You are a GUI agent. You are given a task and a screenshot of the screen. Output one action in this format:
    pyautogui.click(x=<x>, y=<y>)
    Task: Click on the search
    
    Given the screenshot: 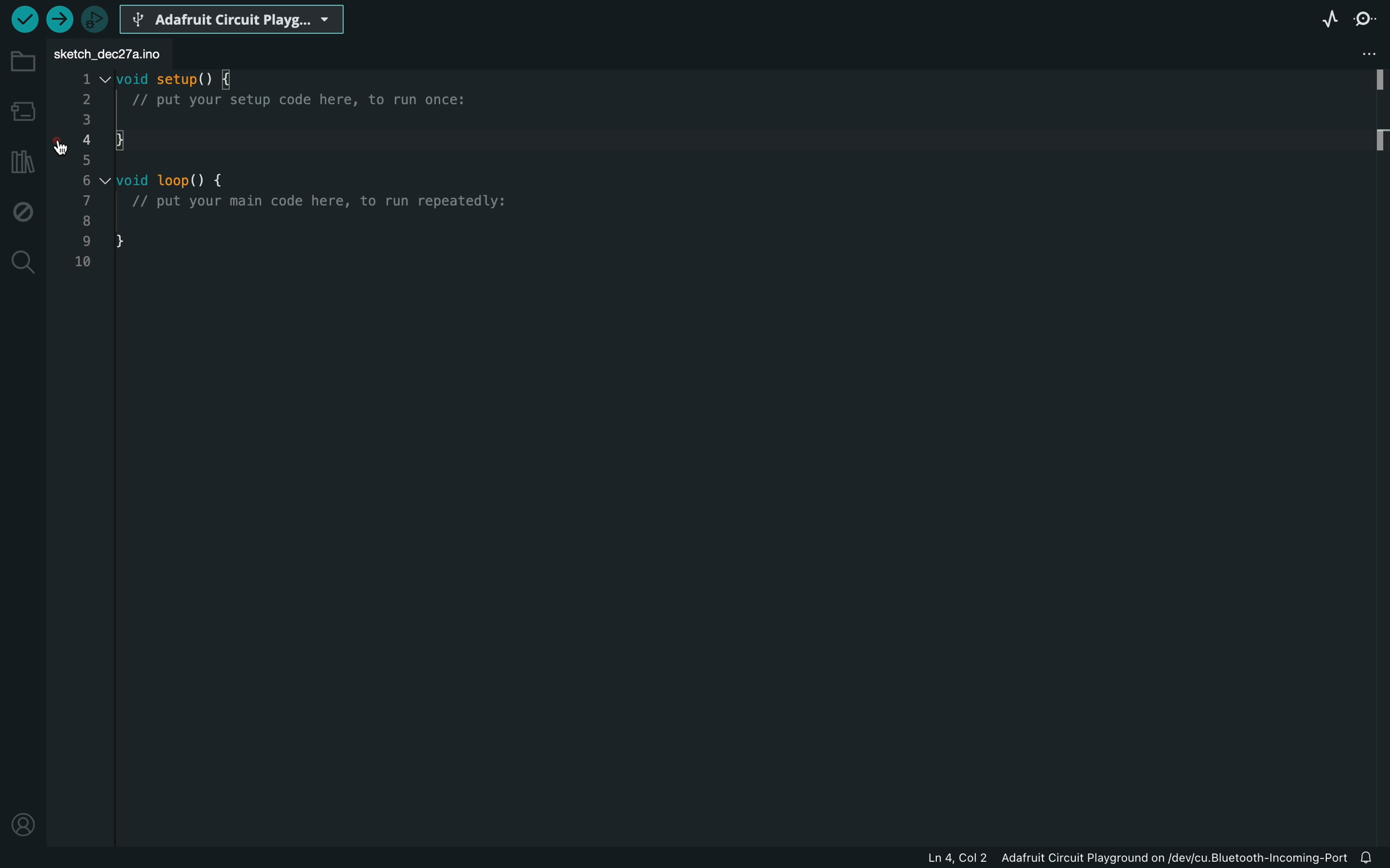 What is the action you would take?
    pyautogui.click(x=24, y=264)
    